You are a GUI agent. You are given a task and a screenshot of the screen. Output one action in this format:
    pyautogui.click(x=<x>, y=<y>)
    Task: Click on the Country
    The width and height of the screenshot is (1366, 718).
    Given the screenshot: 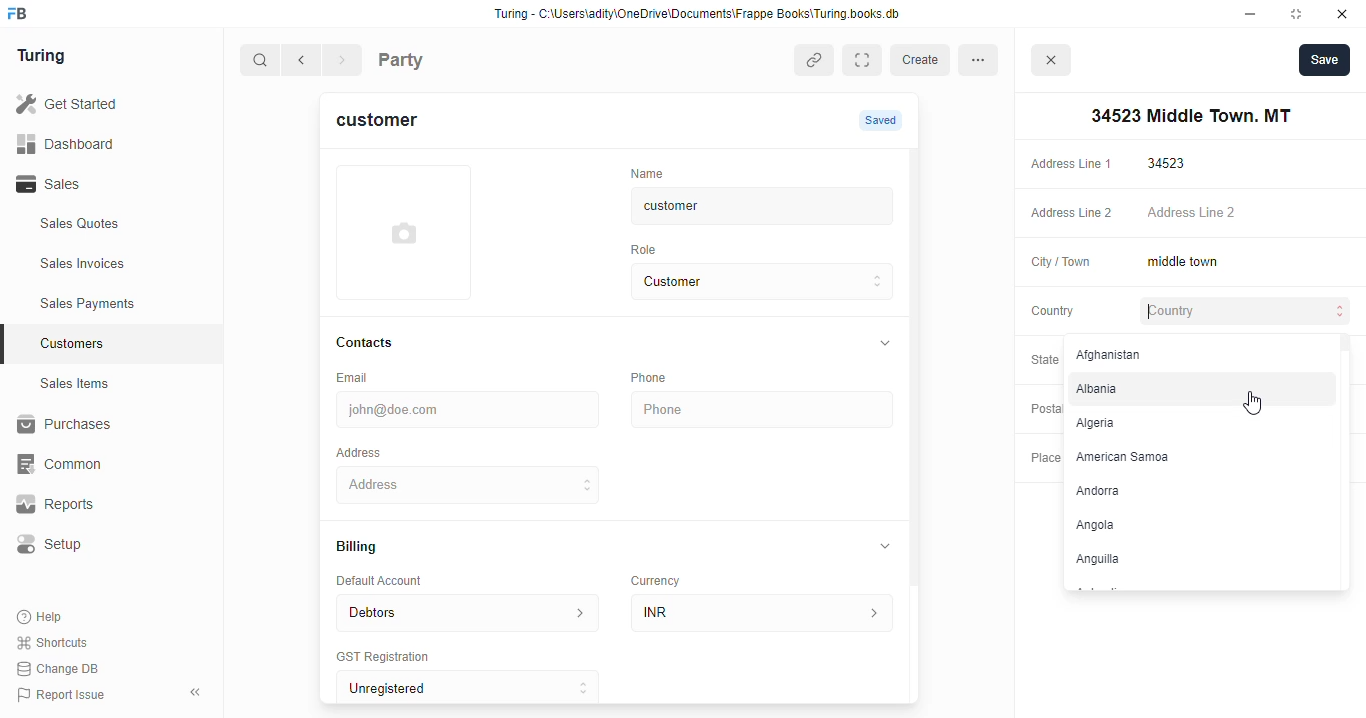 What is the action you would take?
    pyautogui.click(x=1248, y=313)
    